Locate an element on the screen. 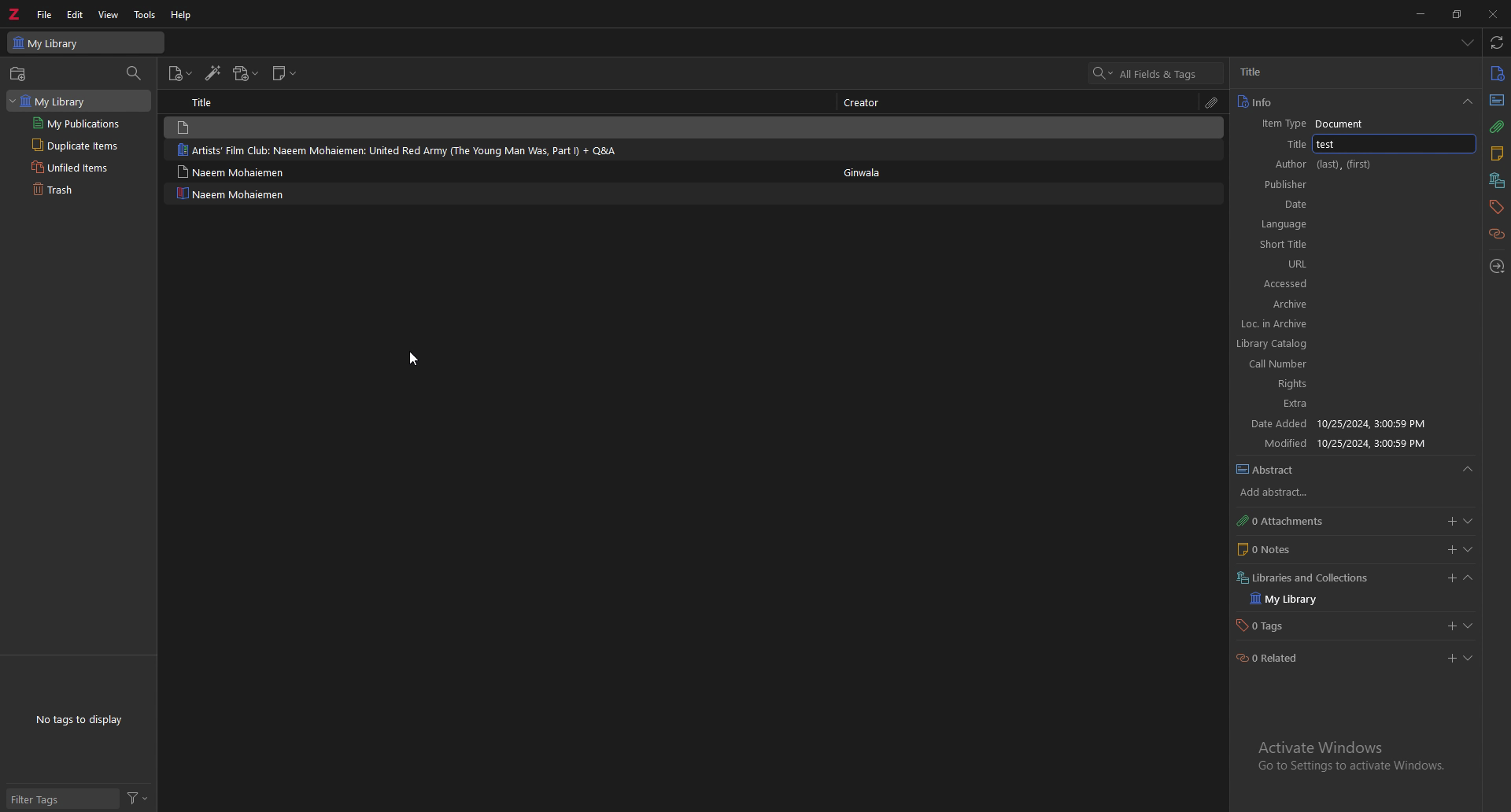 The image size is (1511, 812). item is located at coordinates (494, 170).